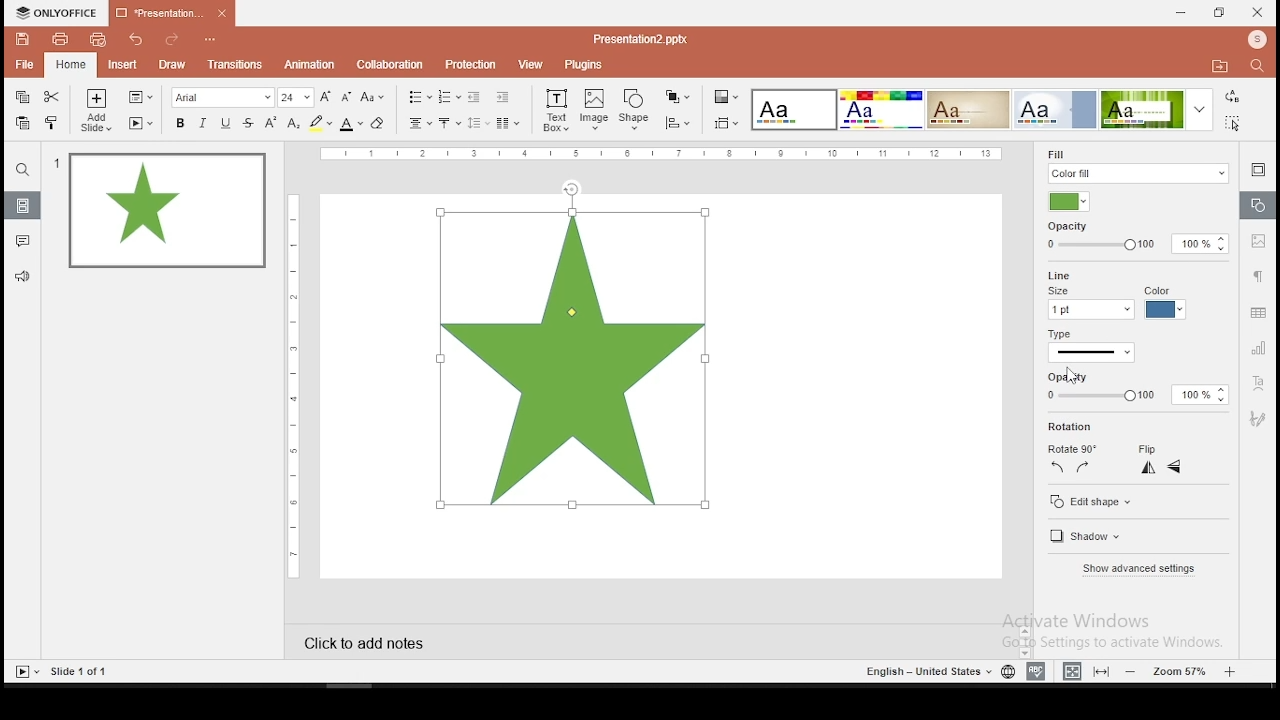 The image size is (1280, 720). I want to click on change slide layout, so click(139, 98).